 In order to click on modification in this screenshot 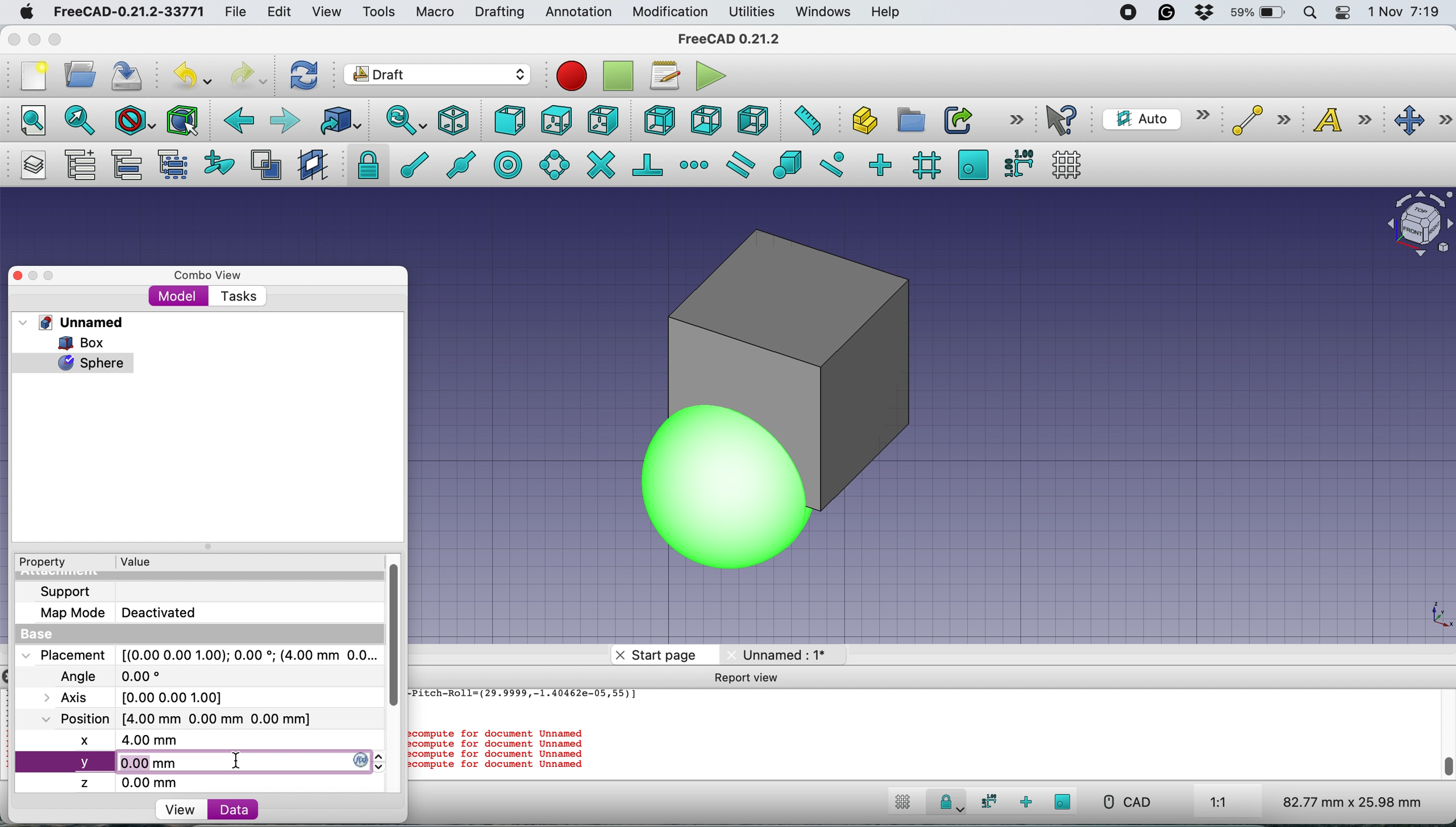, I will do `click(669, 12)`.